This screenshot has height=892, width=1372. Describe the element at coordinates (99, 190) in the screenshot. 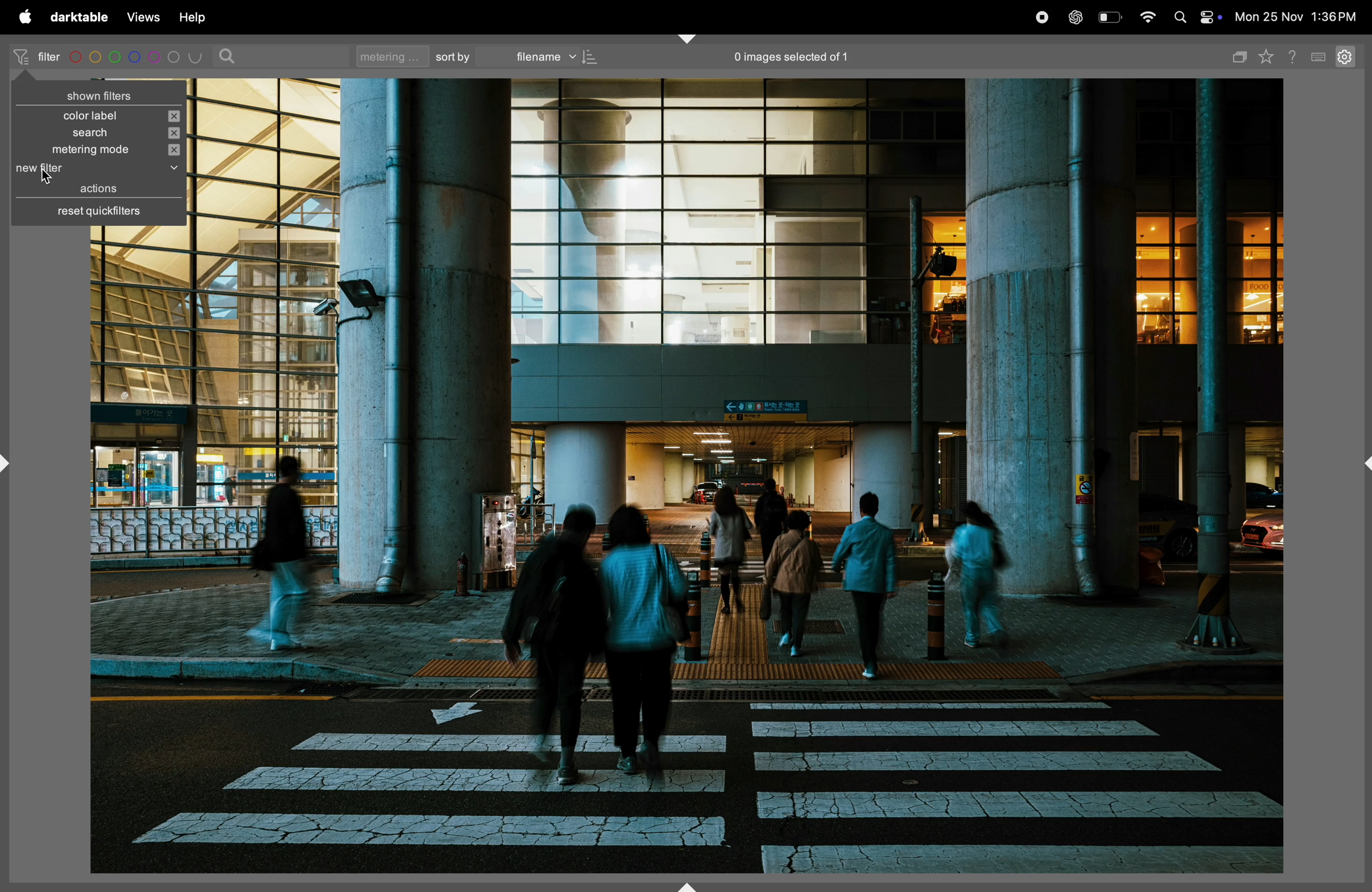

I see `actions` at that location.